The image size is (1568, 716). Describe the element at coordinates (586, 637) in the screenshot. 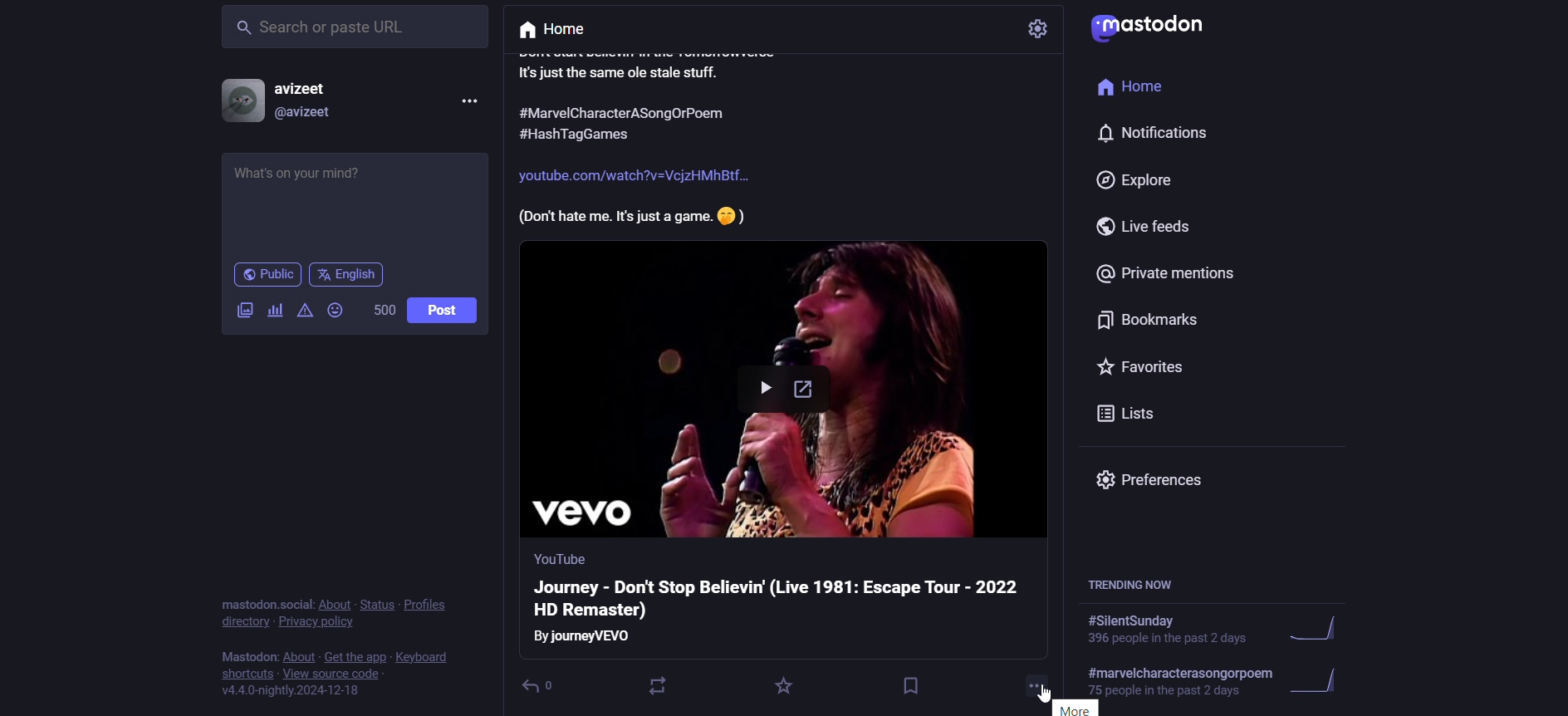

I see `` at that location.